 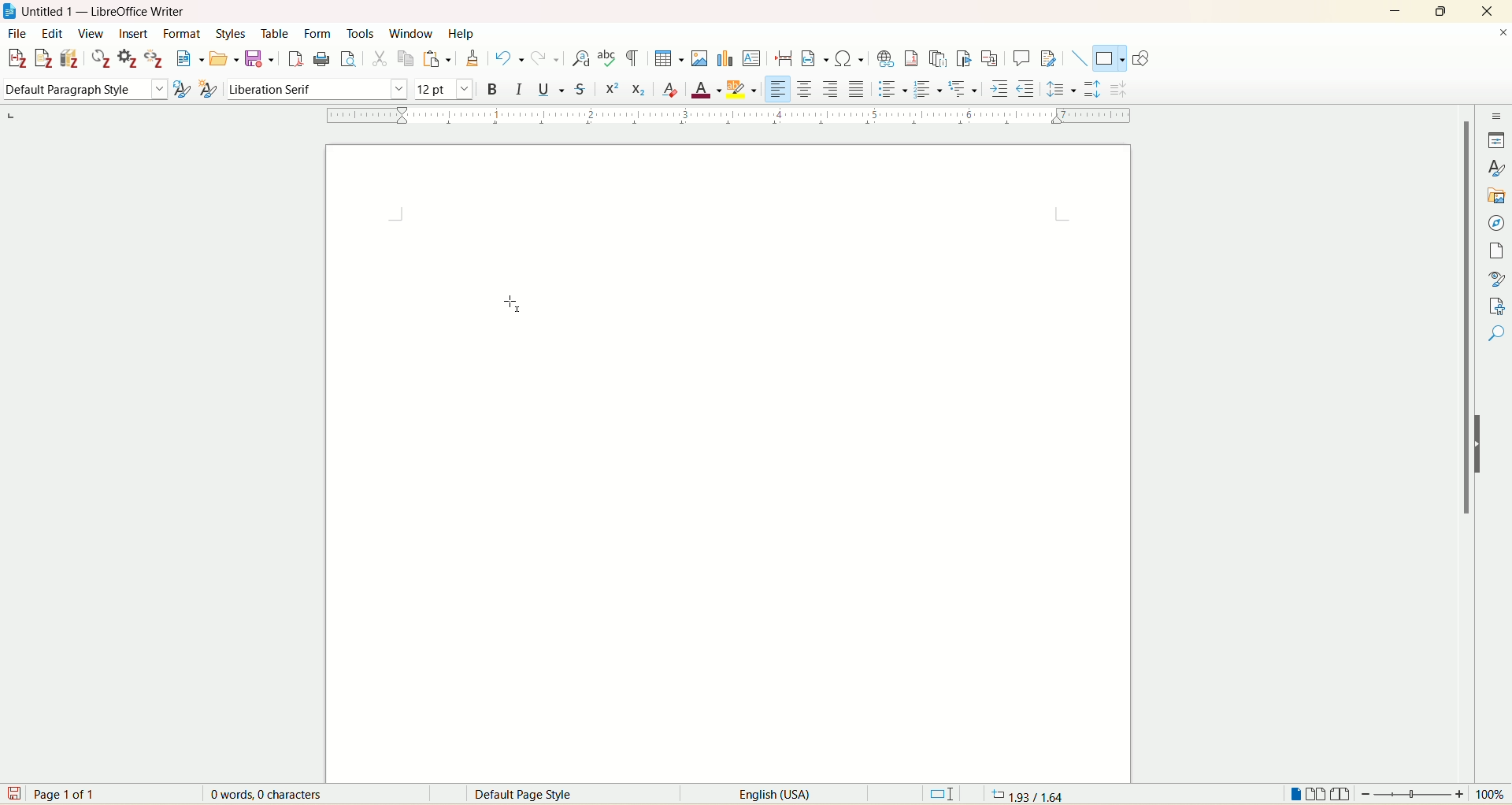 What do you see at coordinates (280, 33) in the screenshot?
I see `table` at bounding box center [280, 33].